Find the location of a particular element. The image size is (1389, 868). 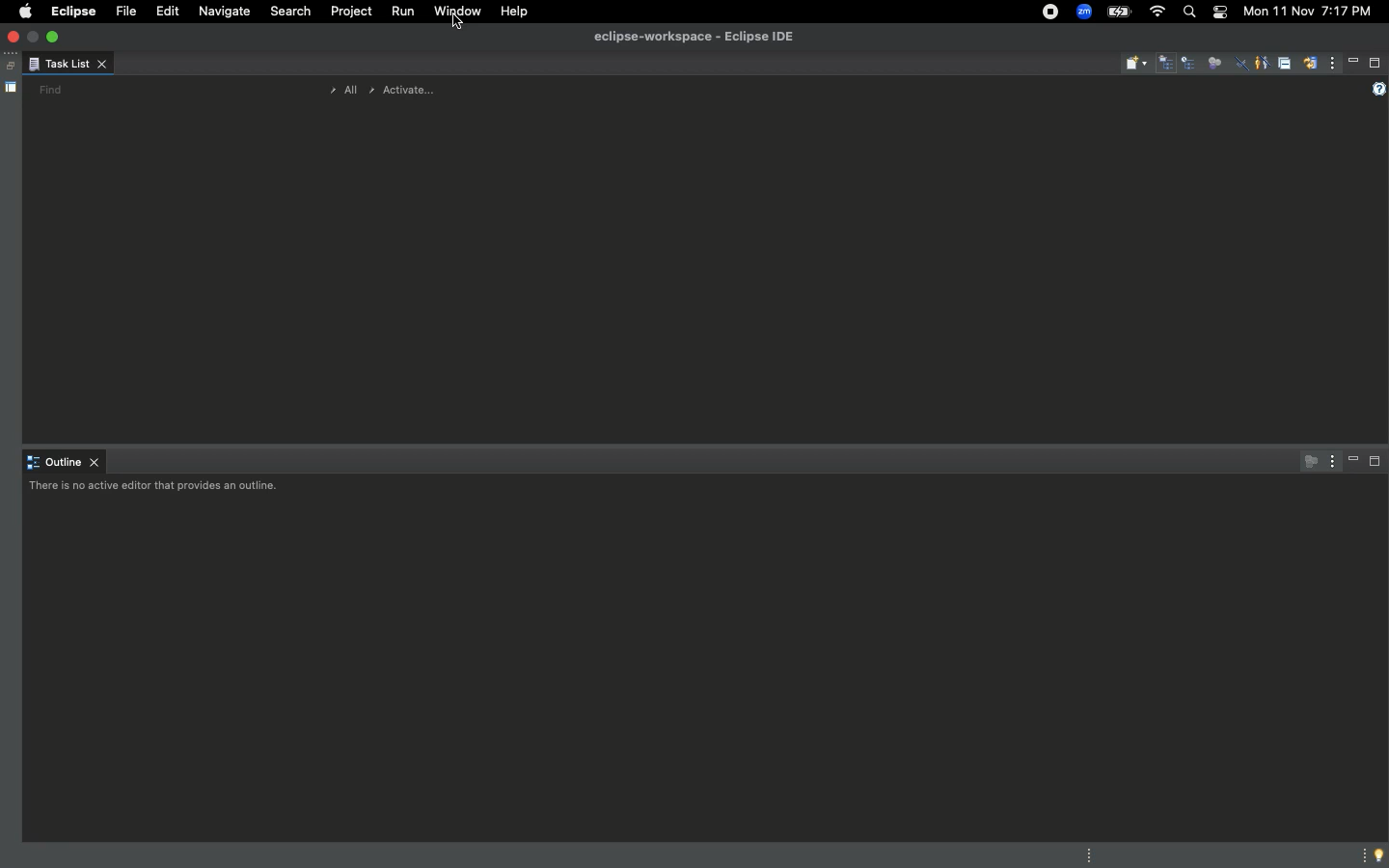

Search is located at coordinates (290, 14).